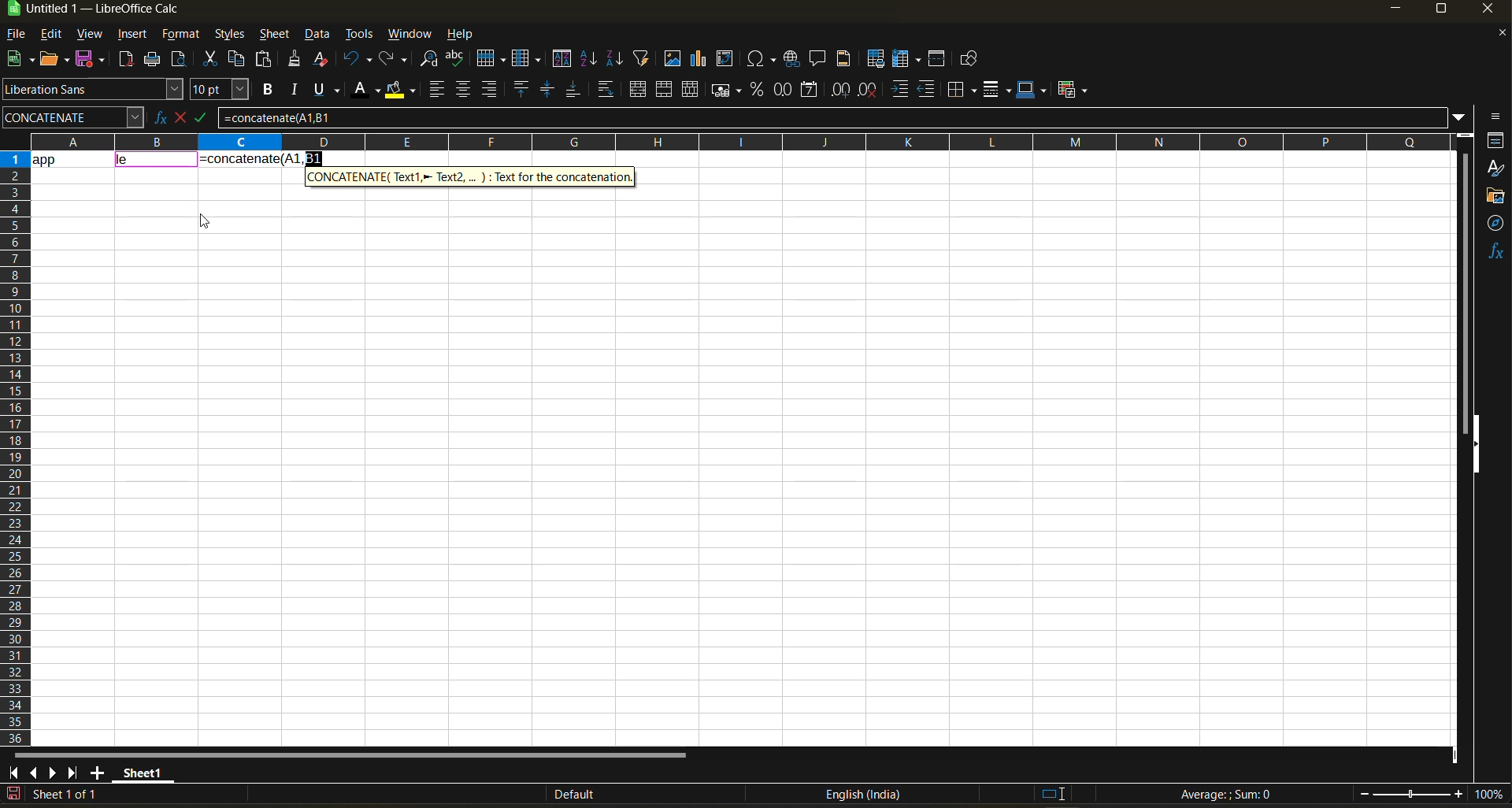  What do you see at coordinates (1496, 223) in the screenshot?
I see `navigator` at bounding box center [1496, 223].